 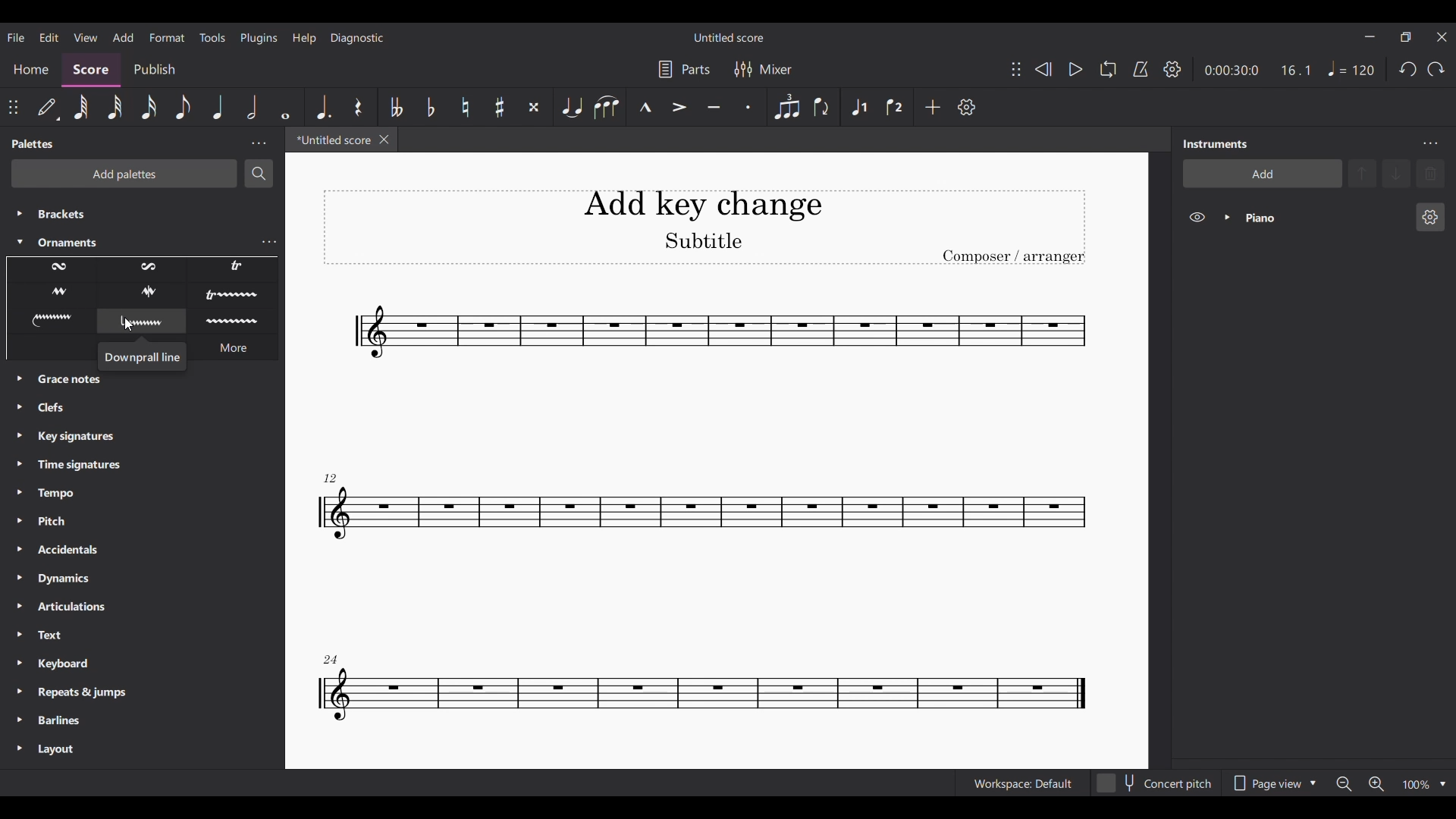 I want to click on Whole note, so click(x=286, y=106).